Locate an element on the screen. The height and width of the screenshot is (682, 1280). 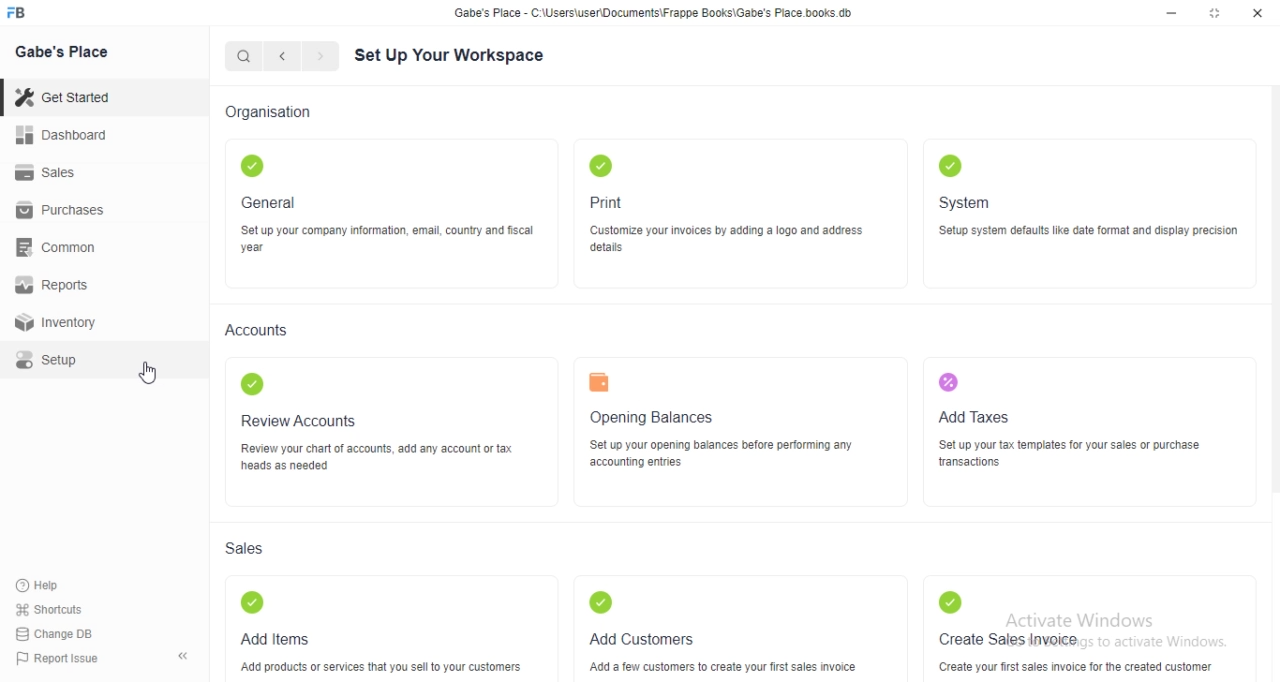
Search is located at coordinates (246, 57).